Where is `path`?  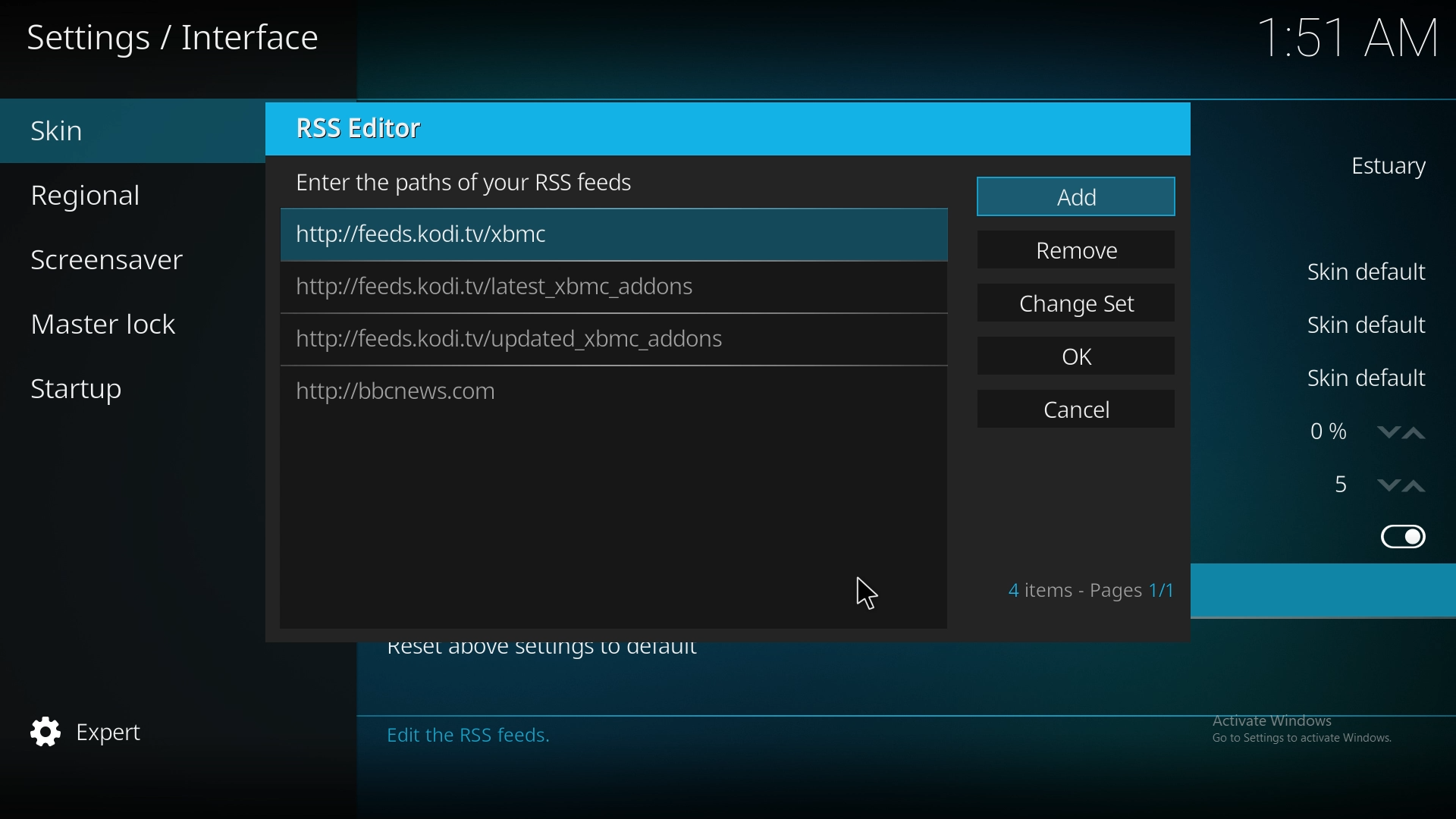
path is located at coordinates (488, 388).